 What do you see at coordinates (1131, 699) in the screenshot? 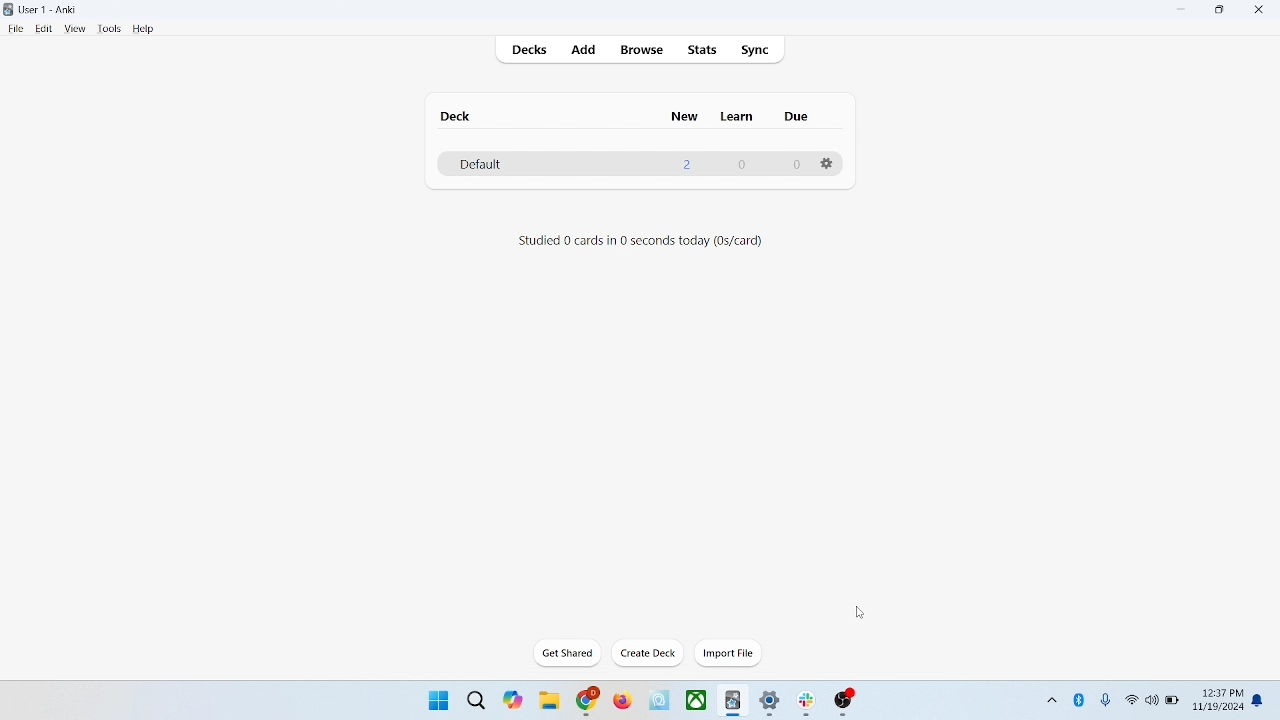
I see `wifi` at bounding box center [1131, 699].